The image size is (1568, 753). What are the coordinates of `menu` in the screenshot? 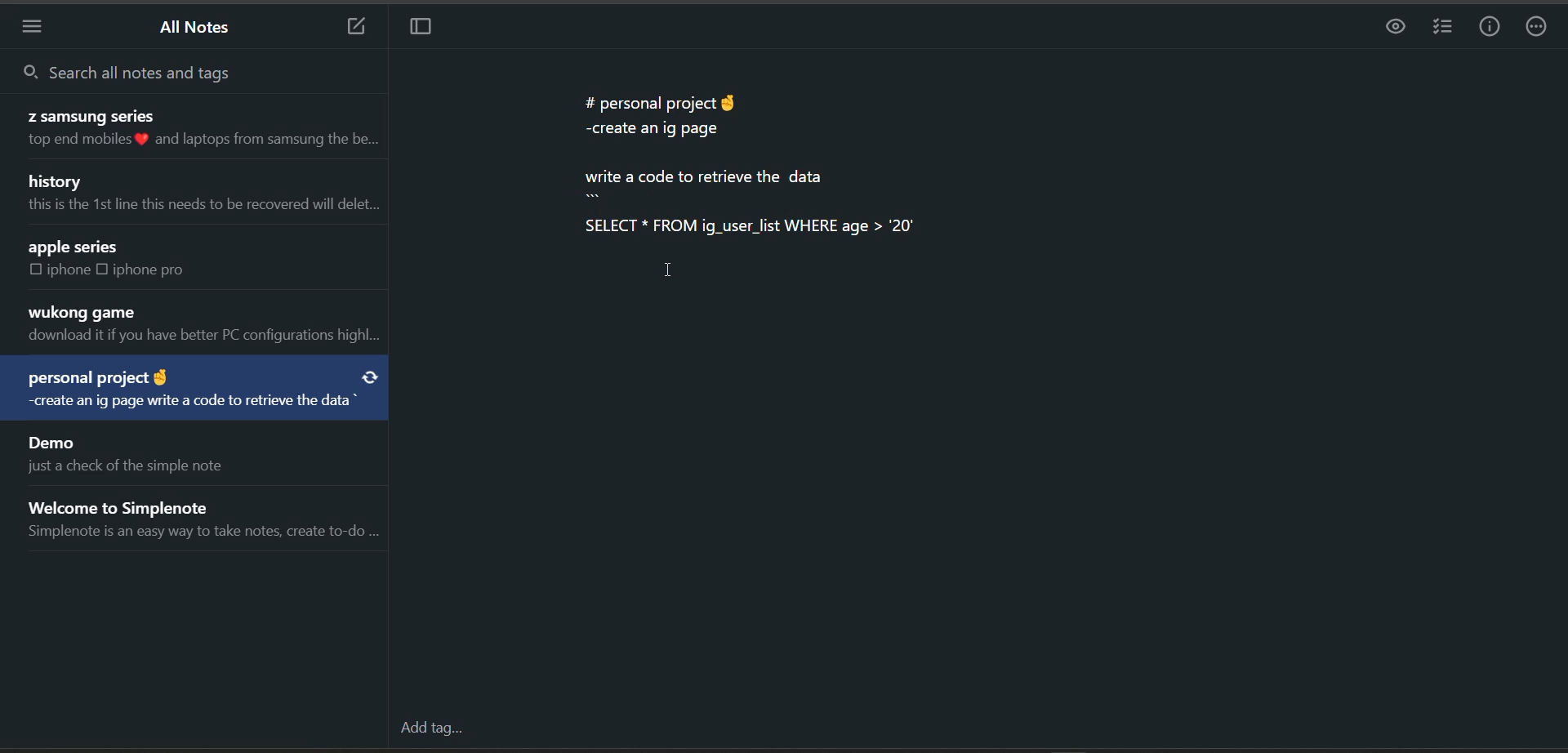 It's located at (38, 26).